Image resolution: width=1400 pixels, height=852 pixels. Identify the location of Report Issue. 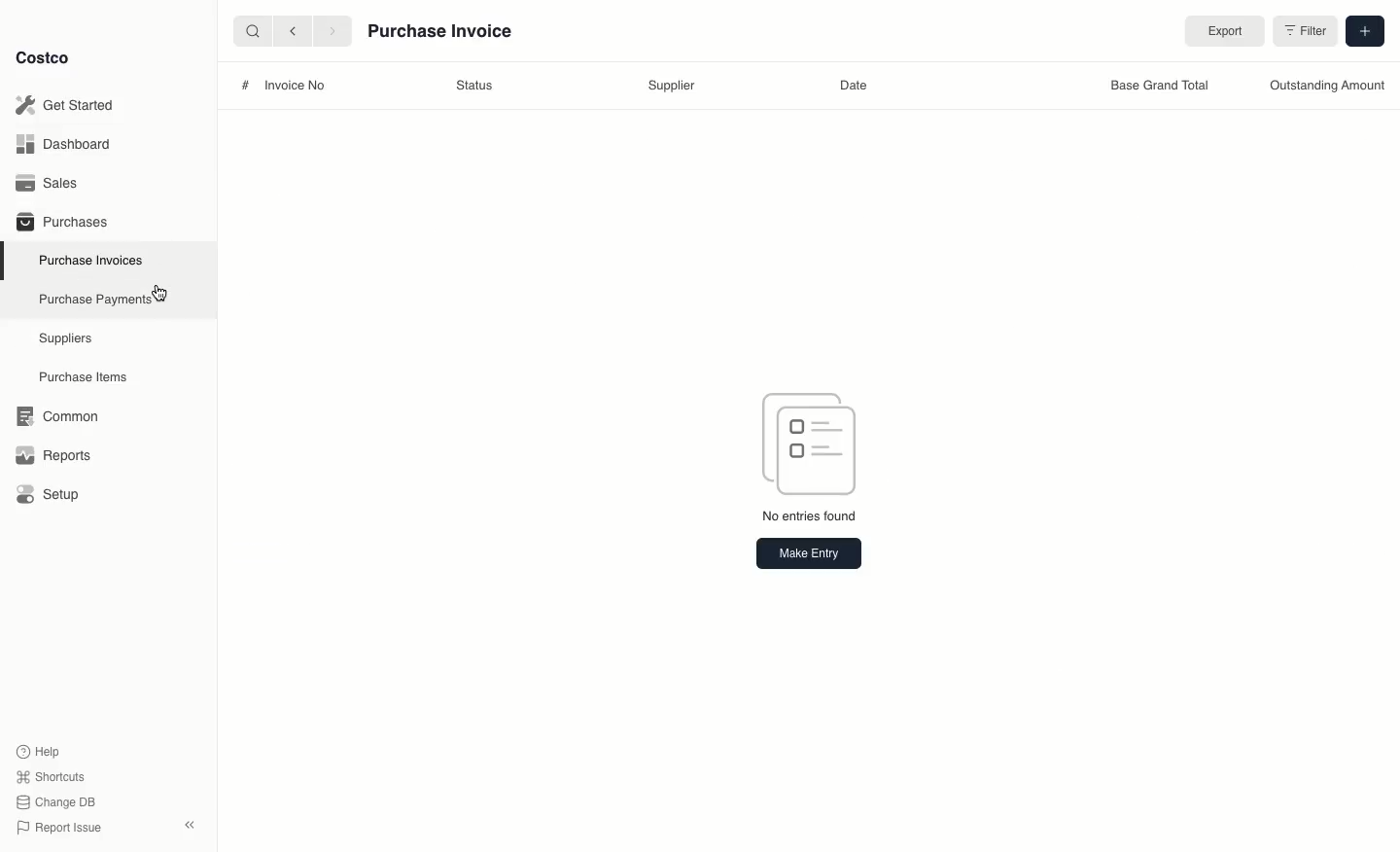
(59, 829).